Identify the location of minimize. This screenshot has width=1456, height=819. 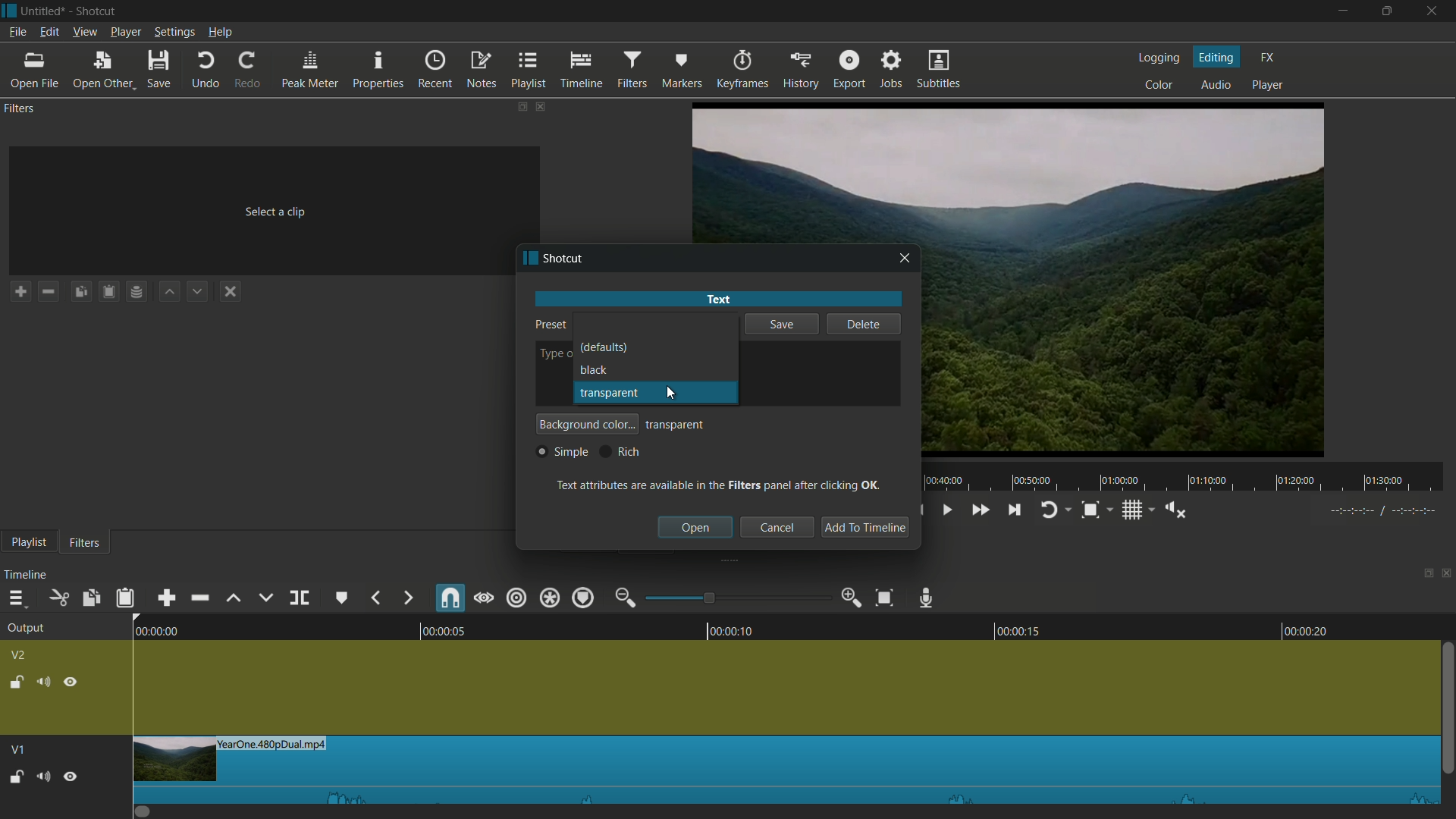
(1346, 11).